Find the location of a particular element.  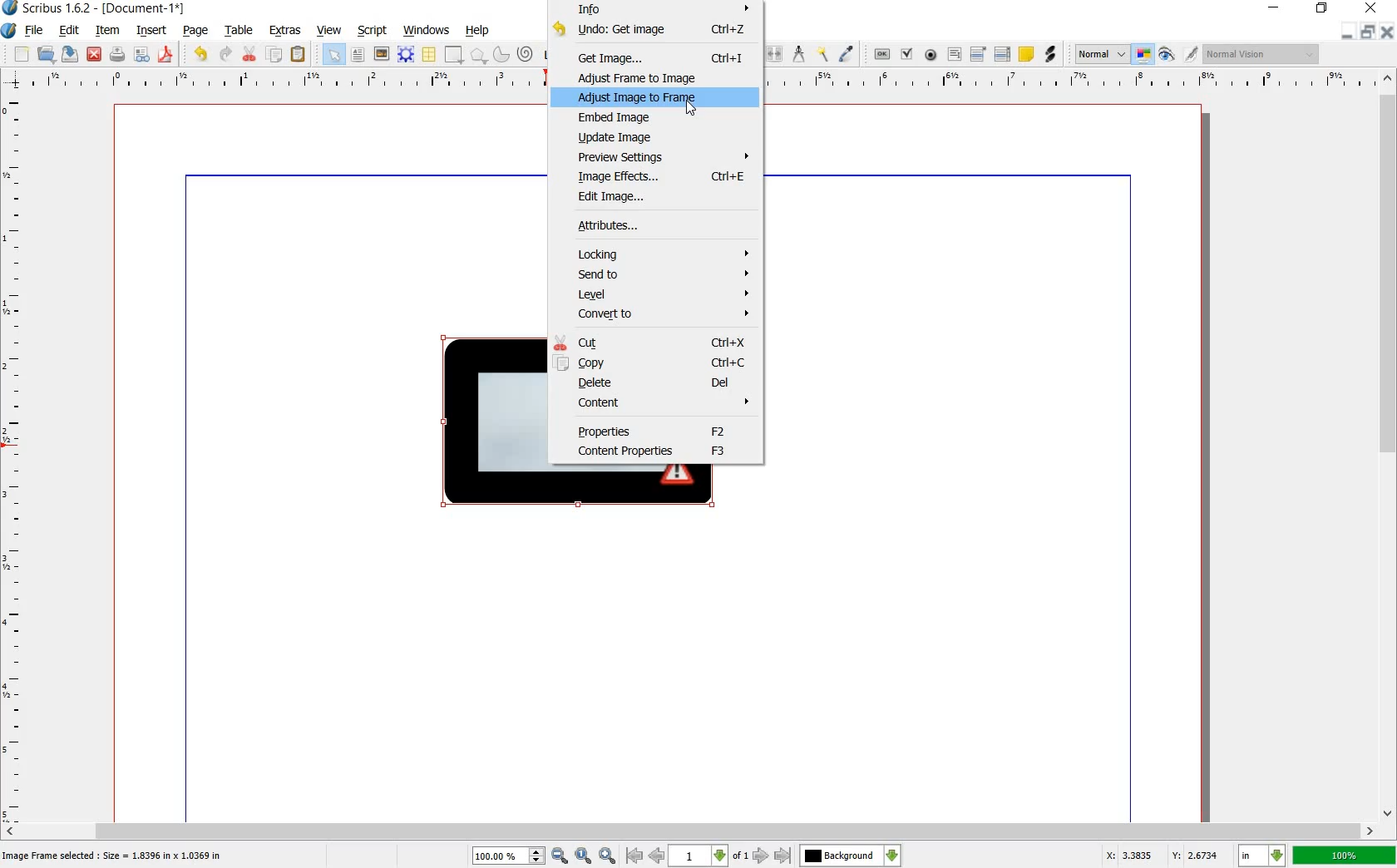

help is located at coordinates (478, 32).